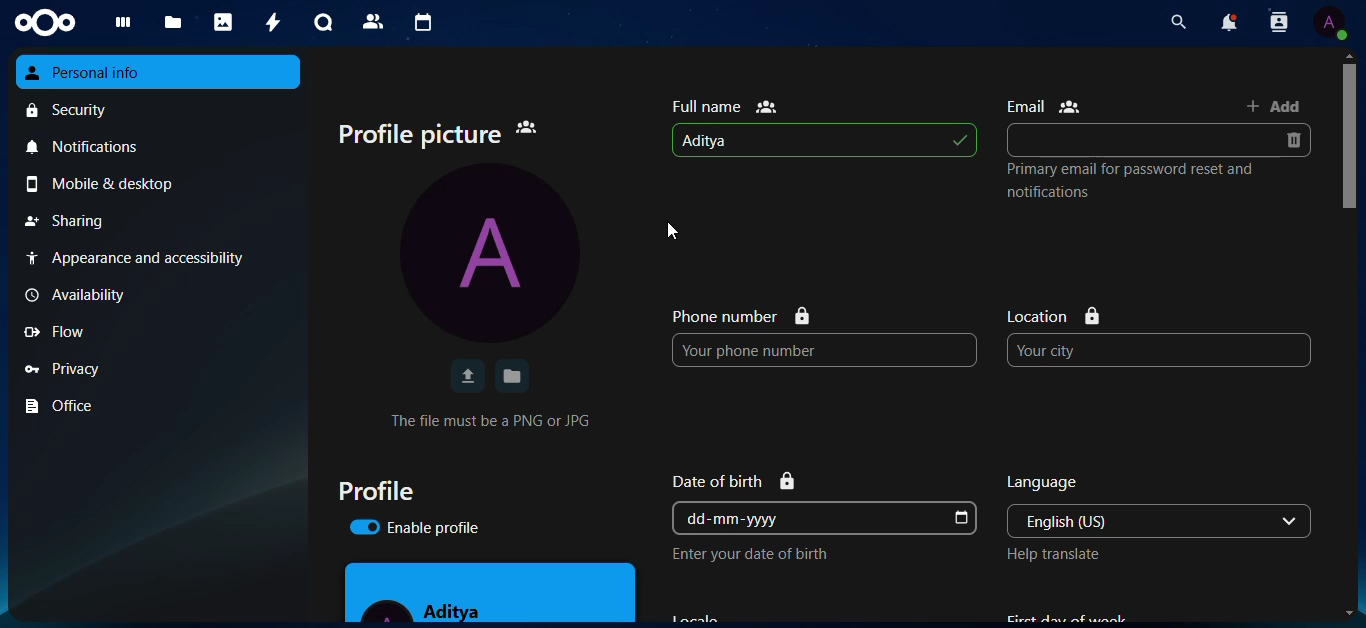 Image resolution: width=1366 pixels, height=628 pixels. What do you see at coordinates (159, 72) in the screenshot?
I see `personal info` at bounding box center [159, 72].